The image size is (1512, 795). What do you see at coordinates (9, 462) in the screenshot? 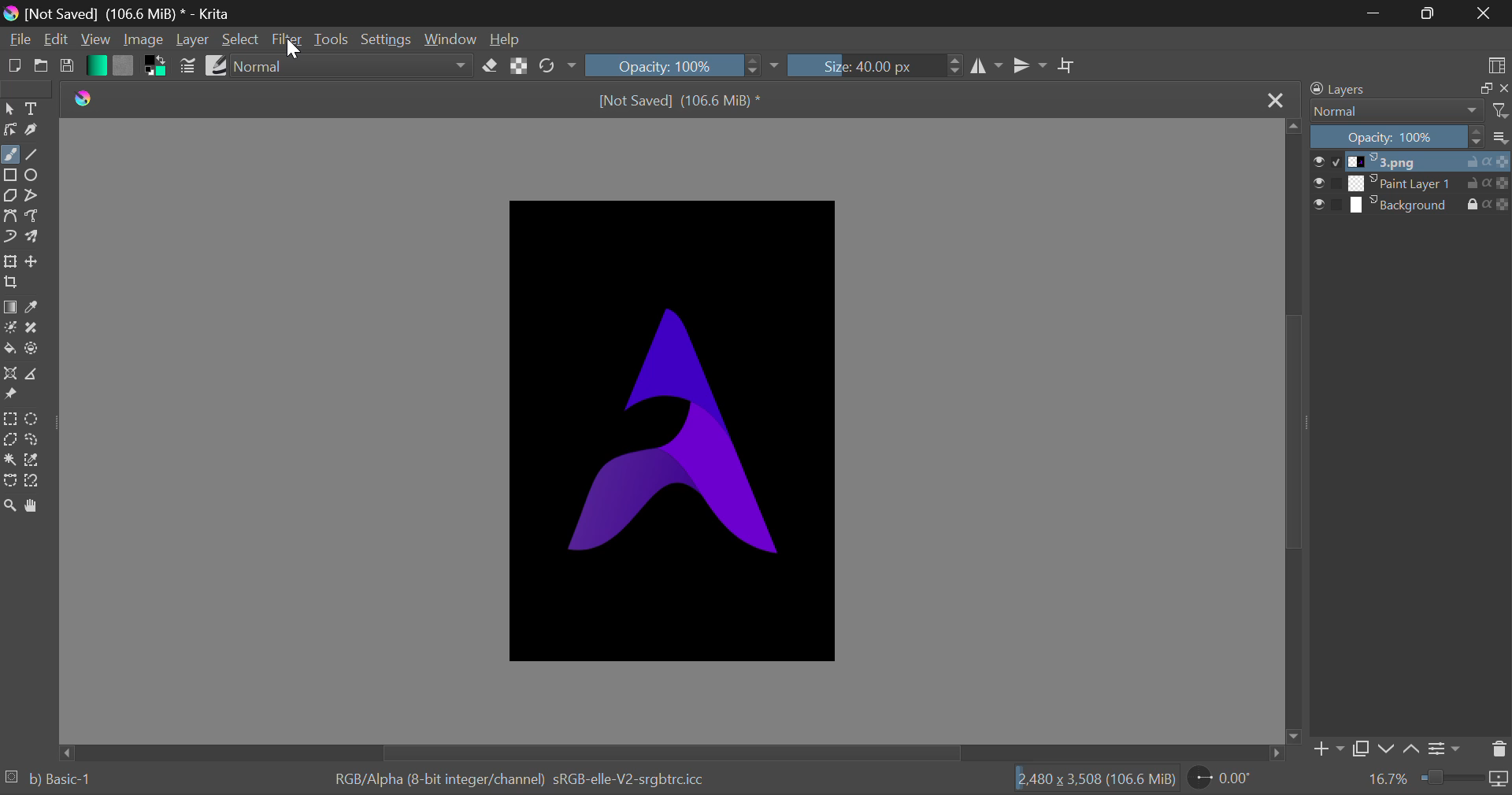
I see `Continuous Selection` at bounding box center [9, 462].